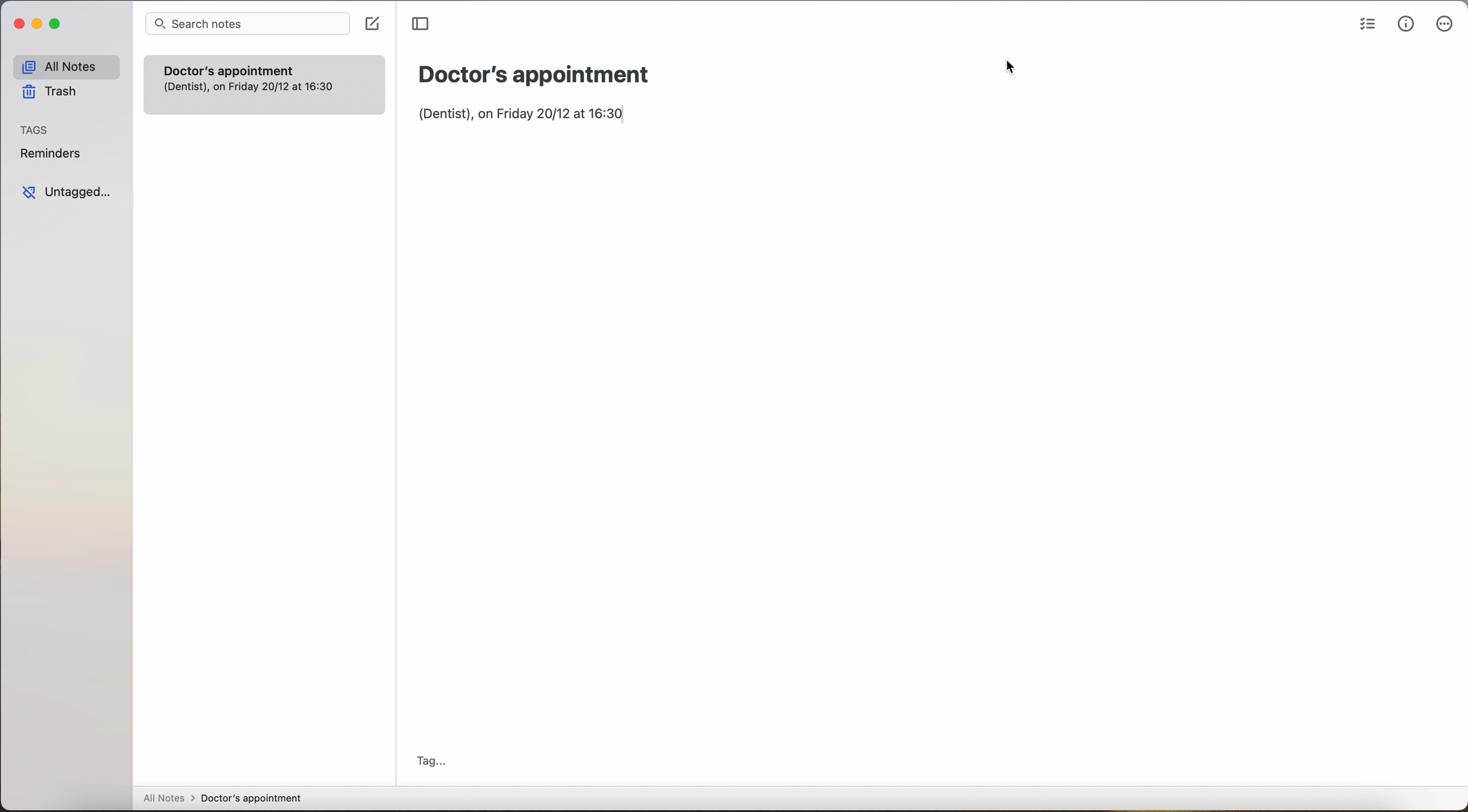  What do you see at coordinates (38, 26) in the screenshot?
I see `minimize` at bounding box center [38, 26].